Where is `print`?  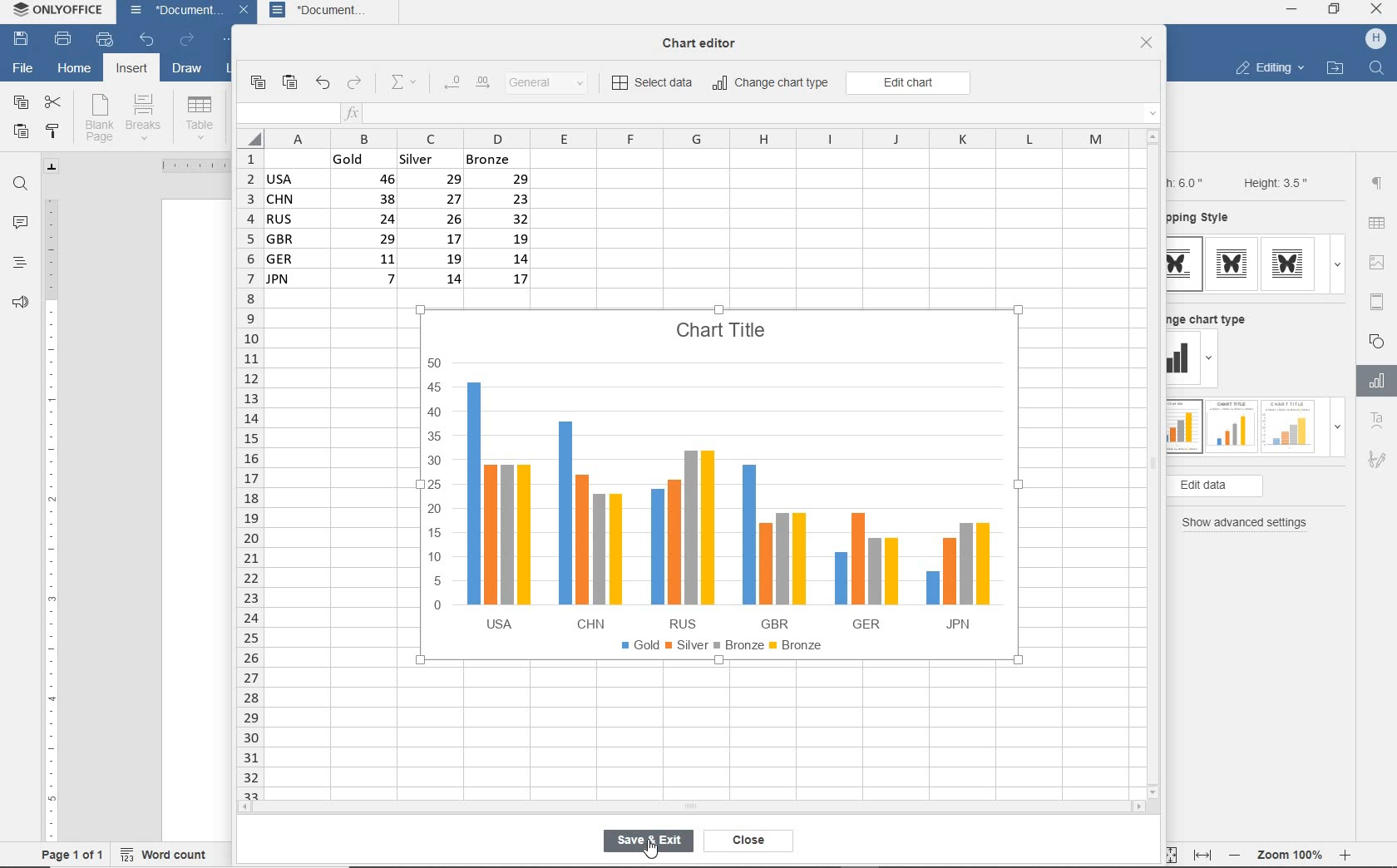 print is located at coordinates (62, 40).